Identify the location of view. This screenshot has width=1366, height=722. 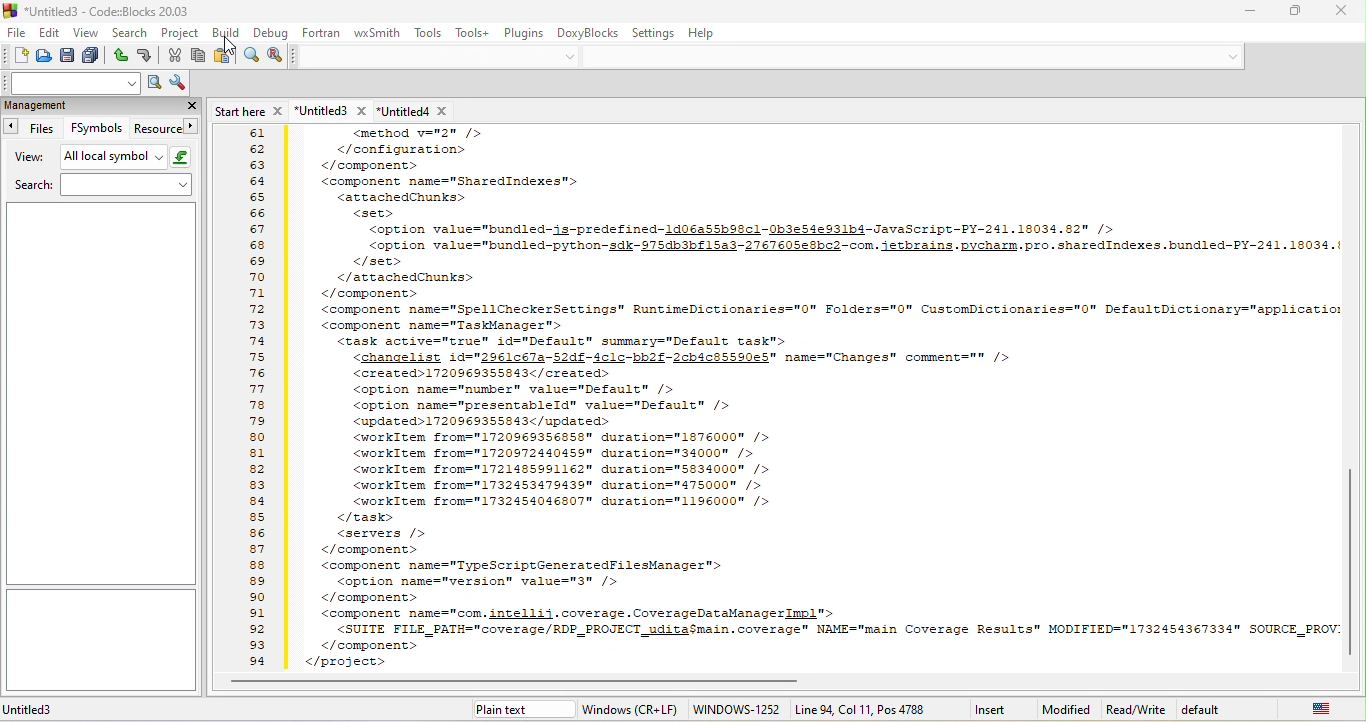
(29, 158).